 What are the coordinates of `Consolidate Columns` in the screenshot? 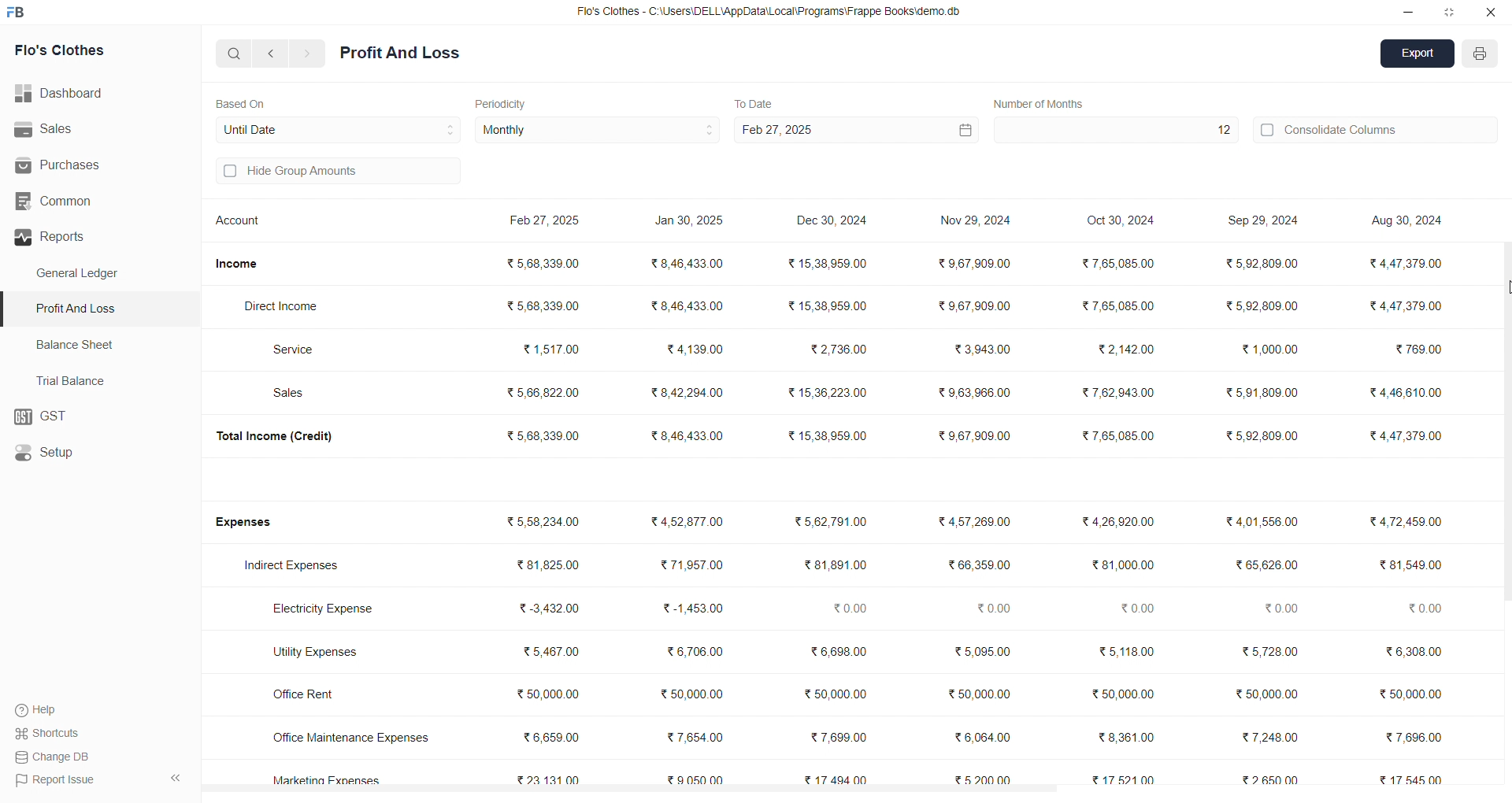 It's located at (1377, 128).